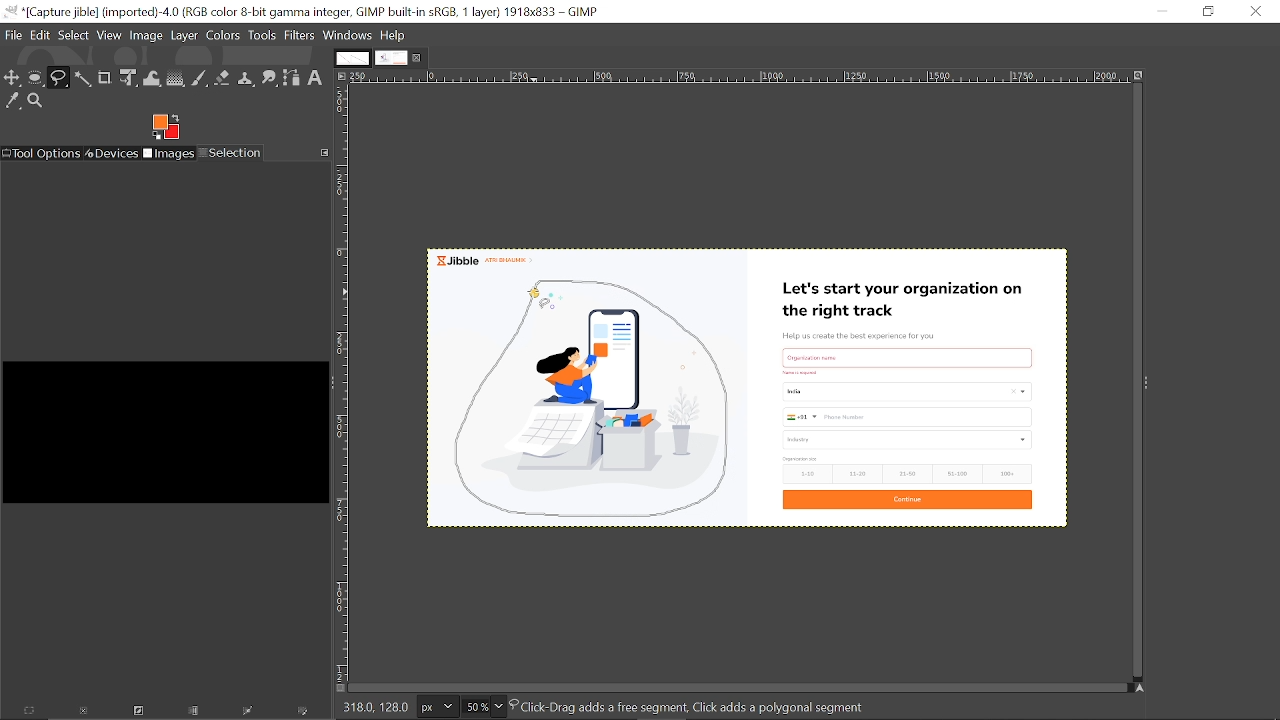 The image size is (1280, 720). I want to click on Wrap text tool, so click(153, 78).